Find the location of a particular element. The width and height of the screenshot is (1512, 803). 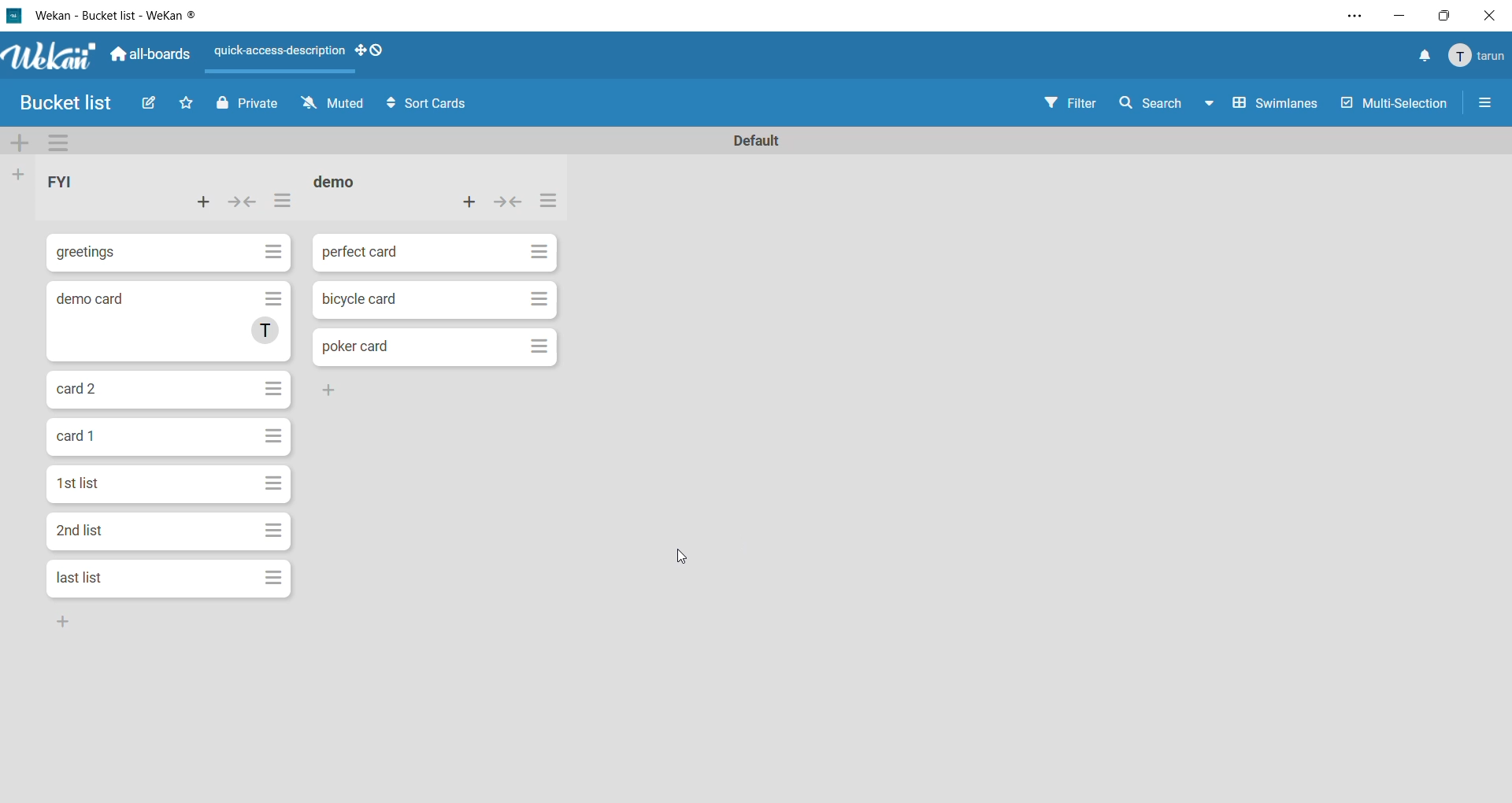

show desktop drag handles is located at coordinates (373, 51).